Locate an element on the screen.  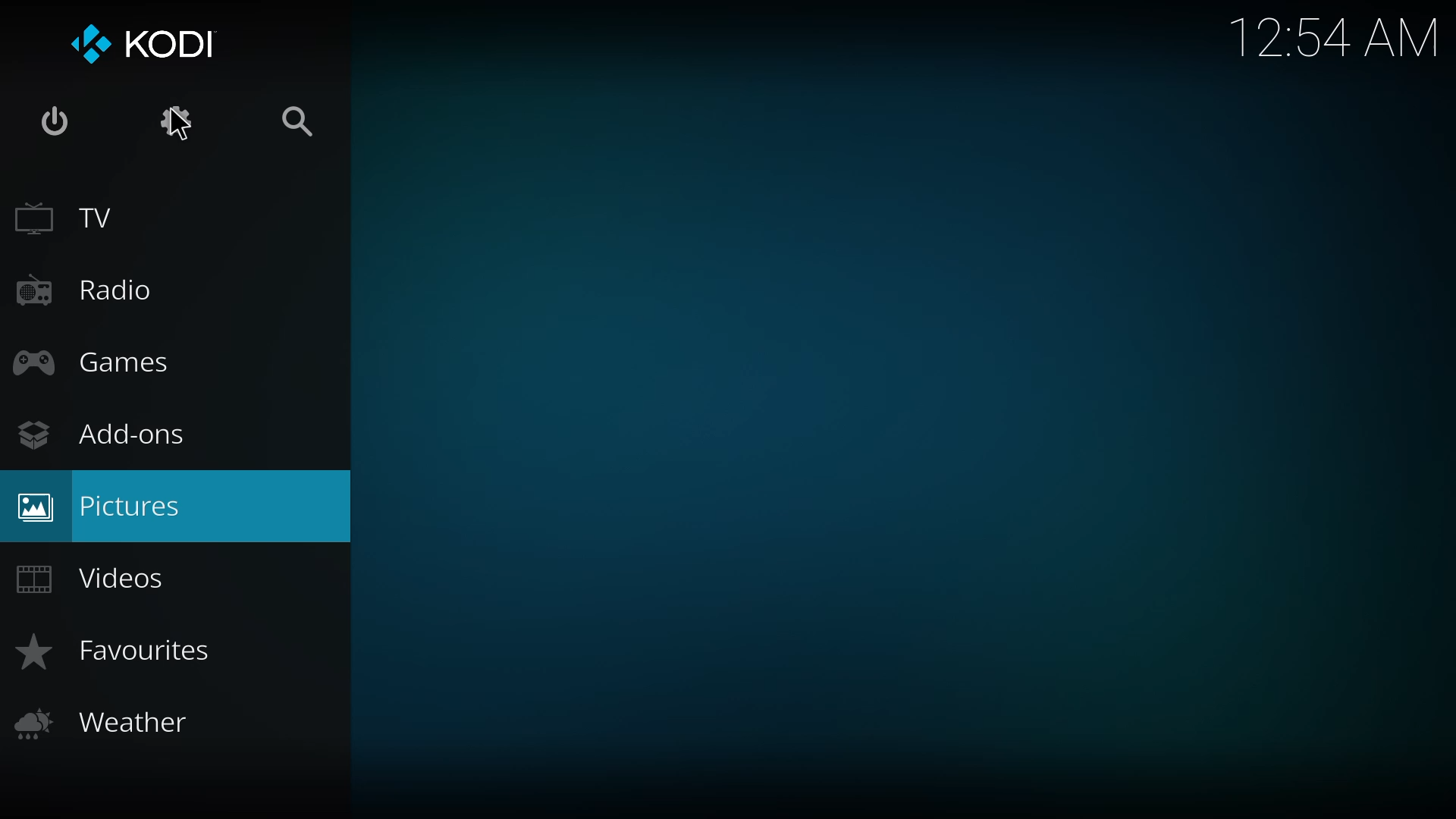
tv is located at coordinates (71, 221).